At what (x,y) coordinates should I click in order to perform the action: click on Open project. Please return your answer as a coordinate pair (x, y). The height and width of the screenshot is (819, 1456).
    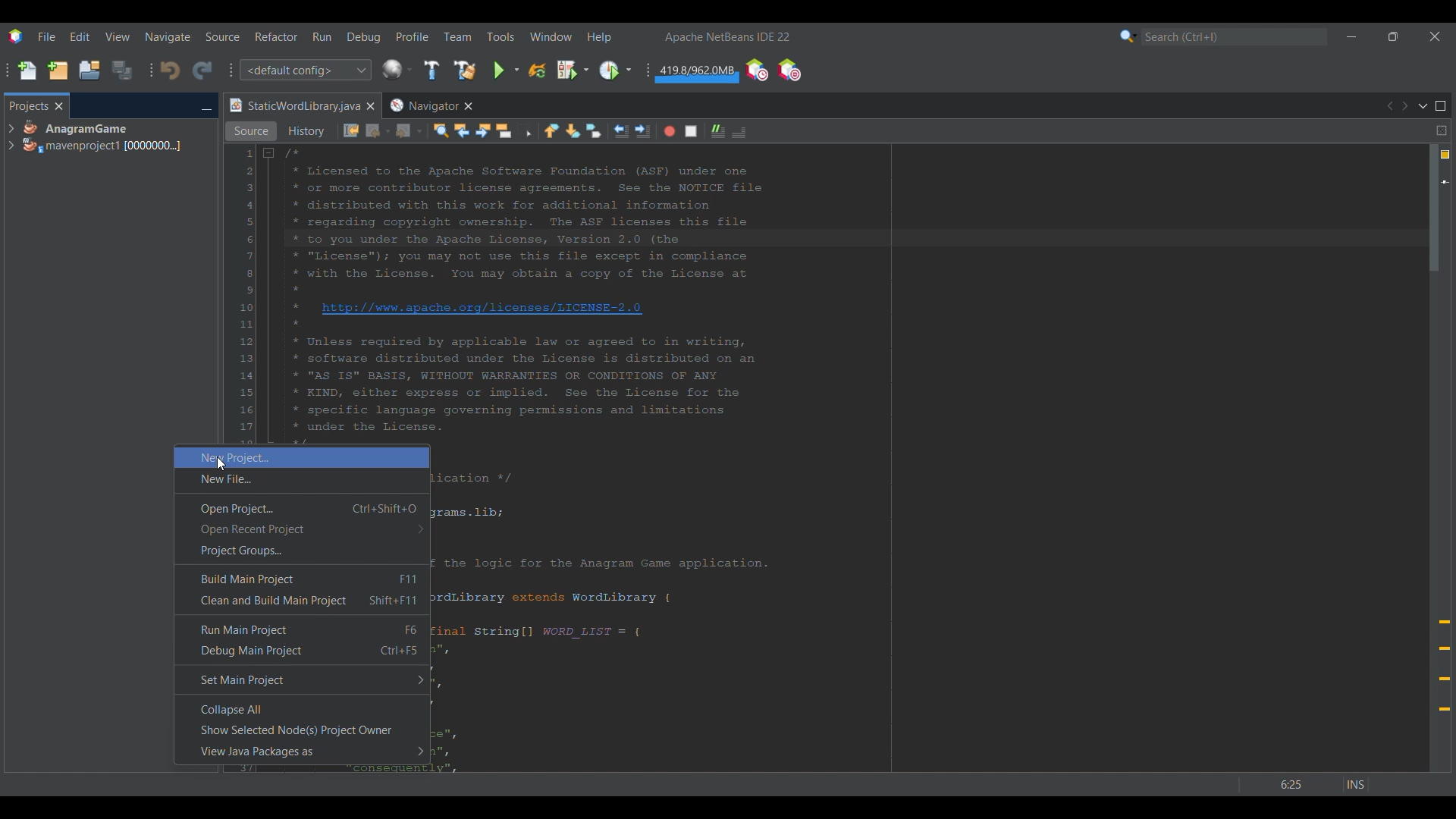
    Looking at the image, I should click on (303, 509).